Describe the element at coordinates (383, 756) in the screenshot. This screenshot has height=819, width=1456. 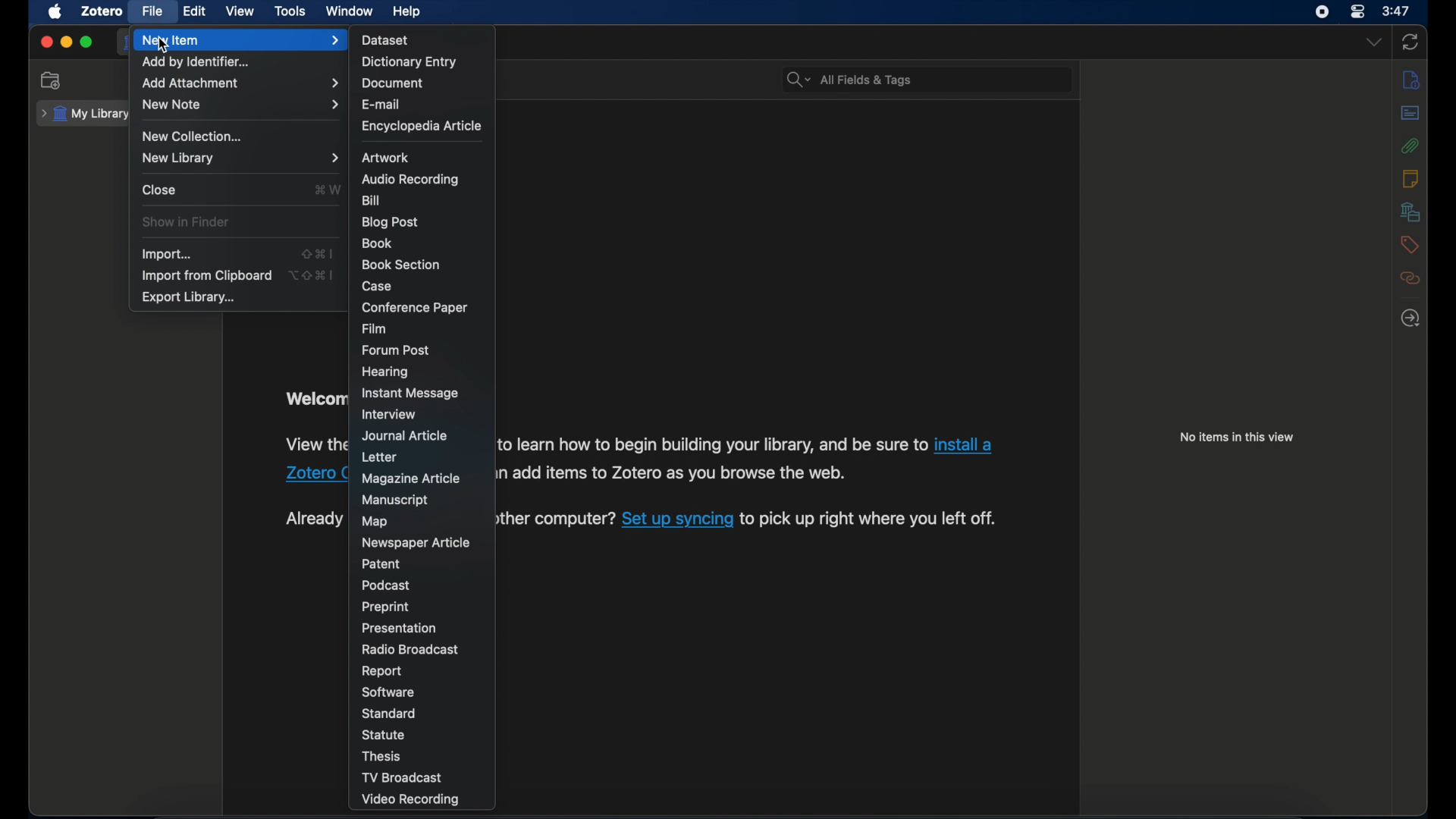
I see `thesis` at that location.